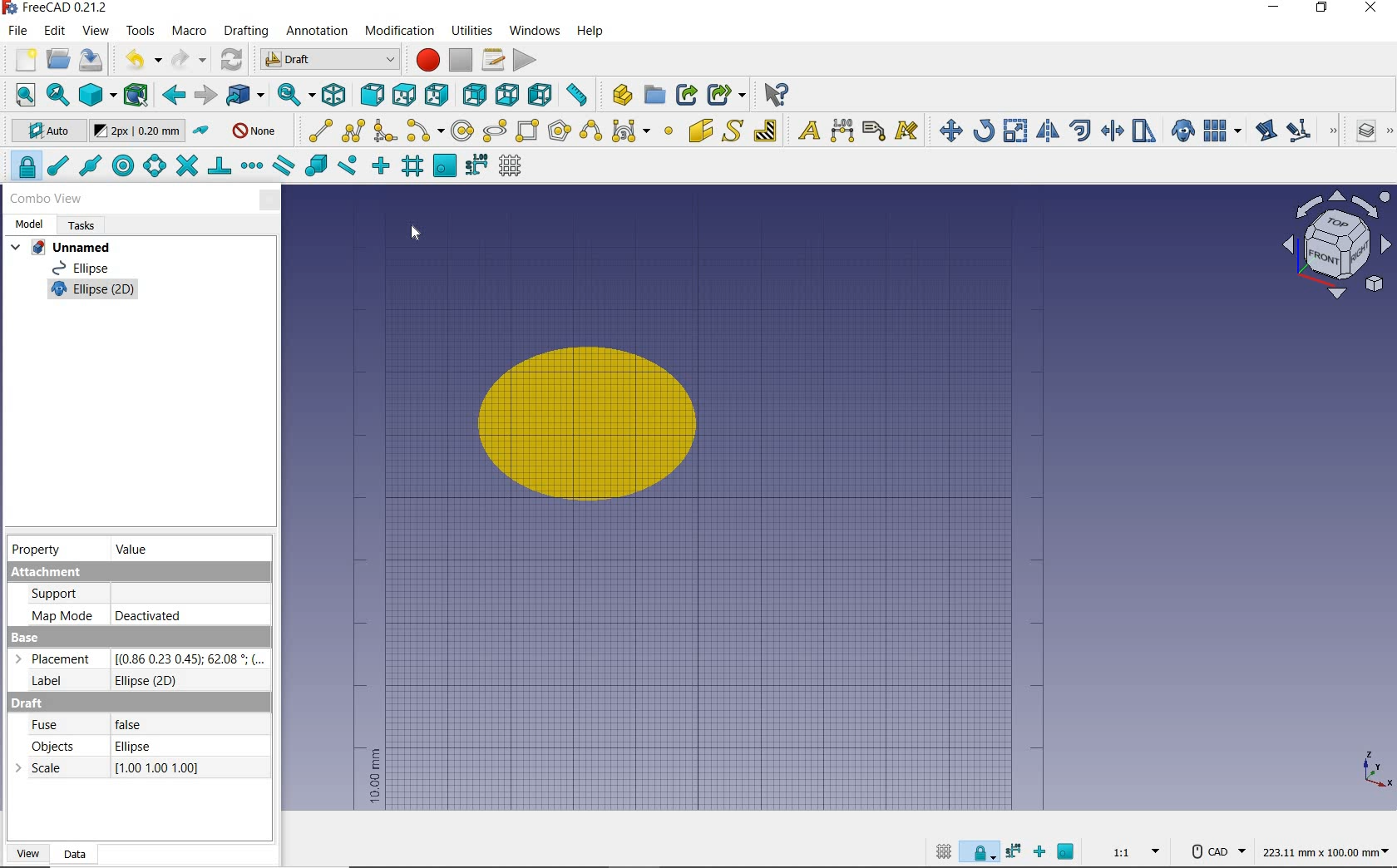 The image size is (1397, 868). What do you see at coordinates (140, 663) in the screenshot?
I see `base` at bounding box center [140, 663].